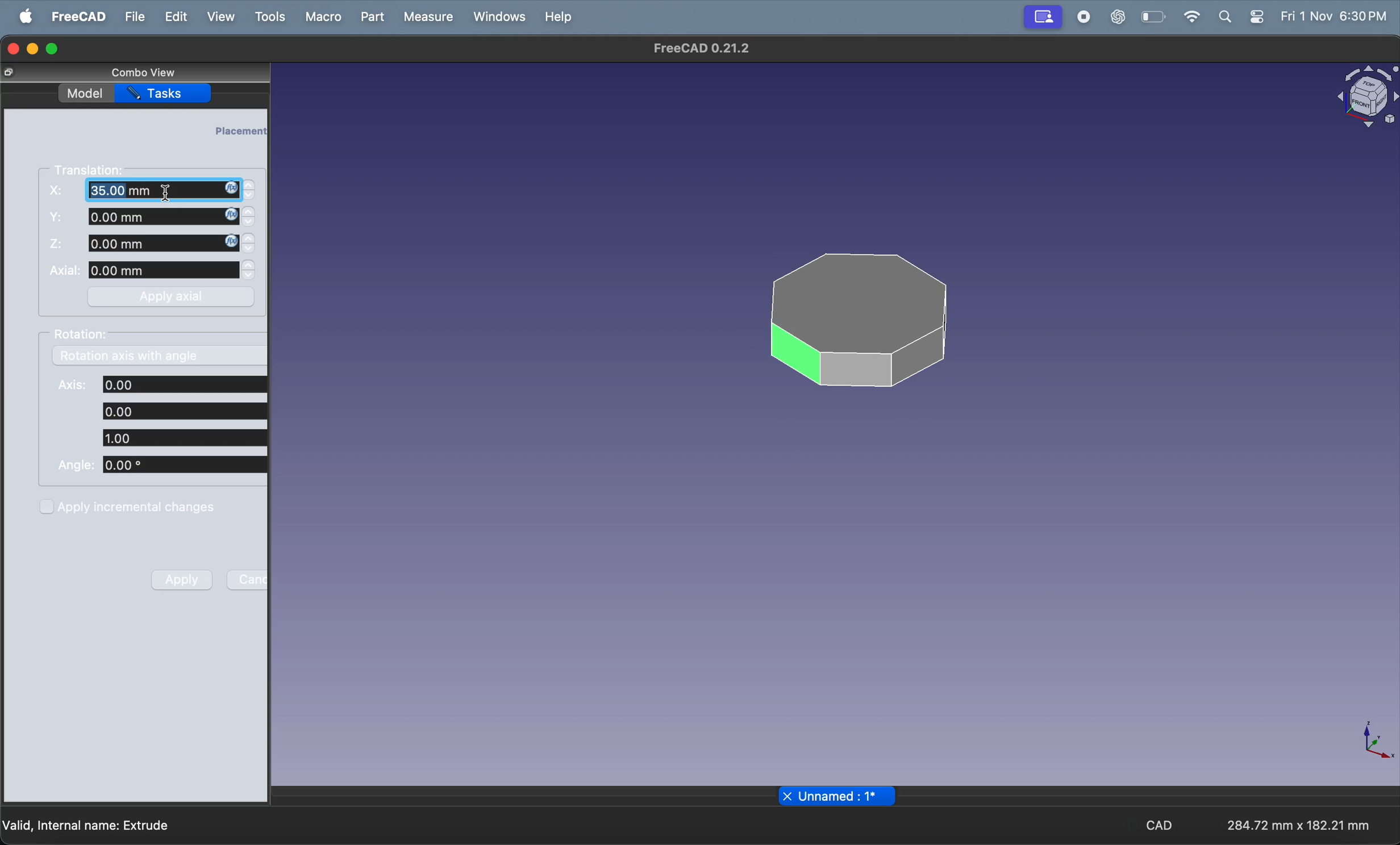 This screenshot has width=1400, height=845. Describe the element at coordinates (1364, 94) in the screenshot. I see `object view` at that location.